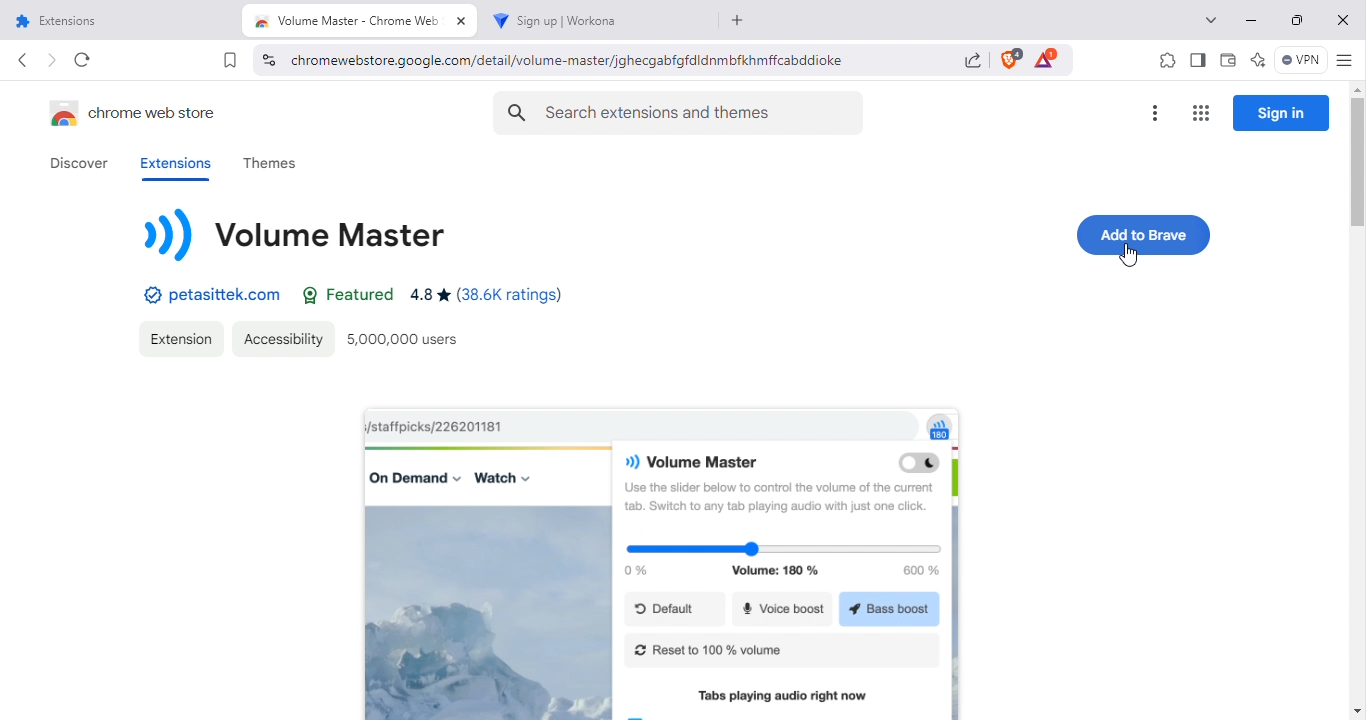  I want to click on Google apps, so click(1199, 113).